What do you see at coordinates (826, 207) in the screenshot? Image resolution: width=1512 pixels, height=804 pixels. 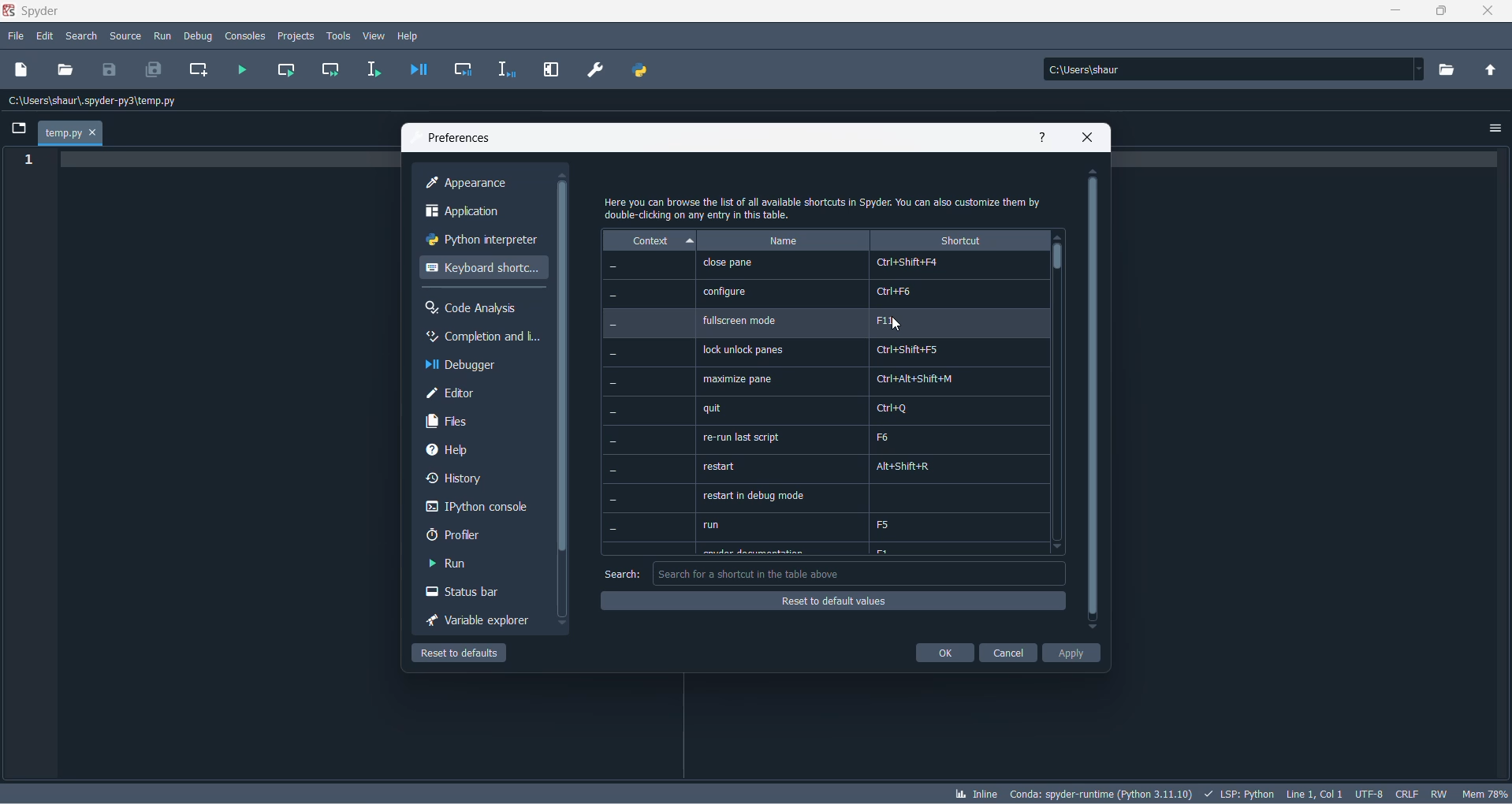 I see `text` at bounding box center [826, 207].